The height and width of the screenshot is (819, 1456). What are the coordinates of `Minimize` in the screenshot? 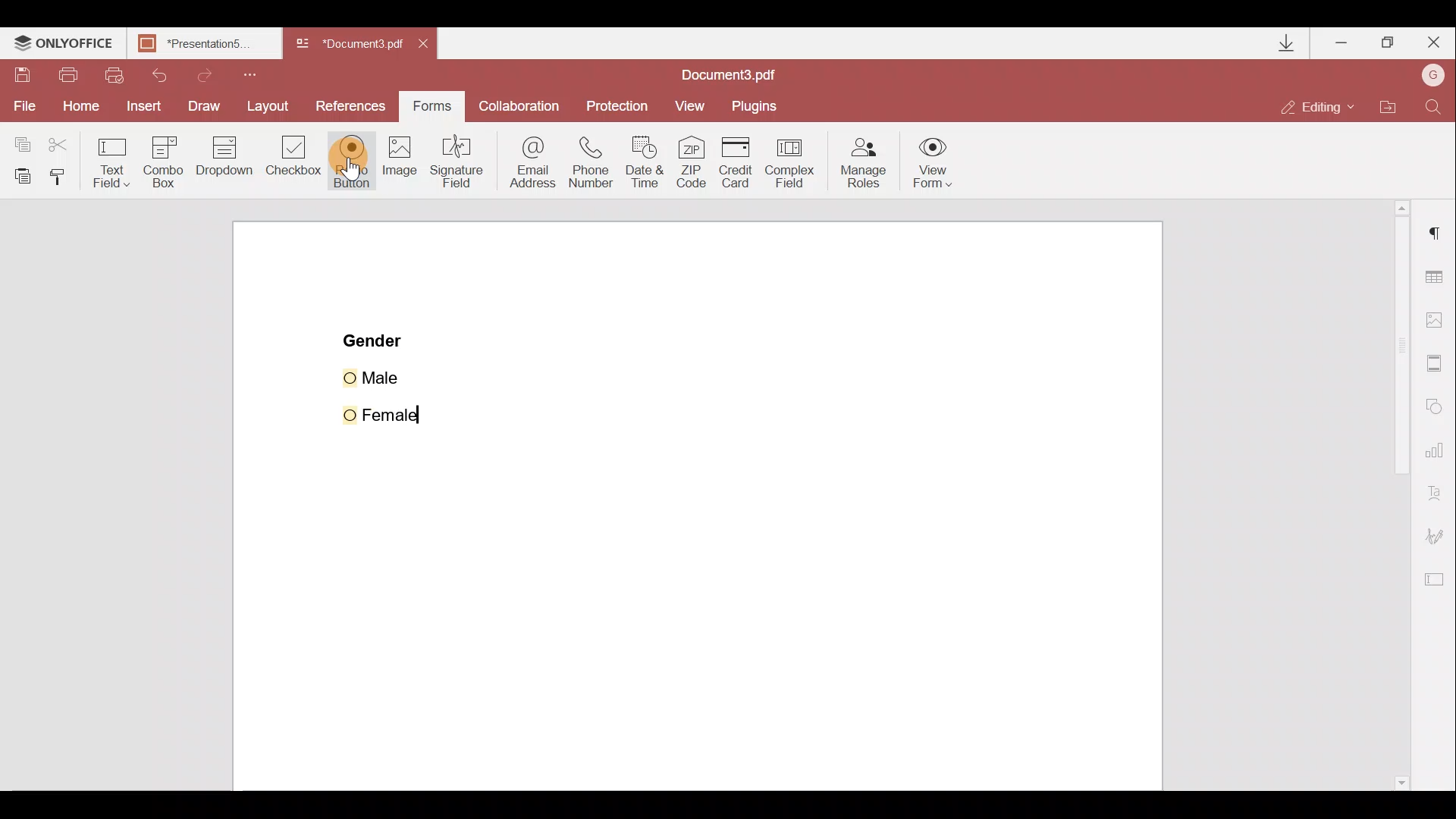 It's located at (1341, 42).